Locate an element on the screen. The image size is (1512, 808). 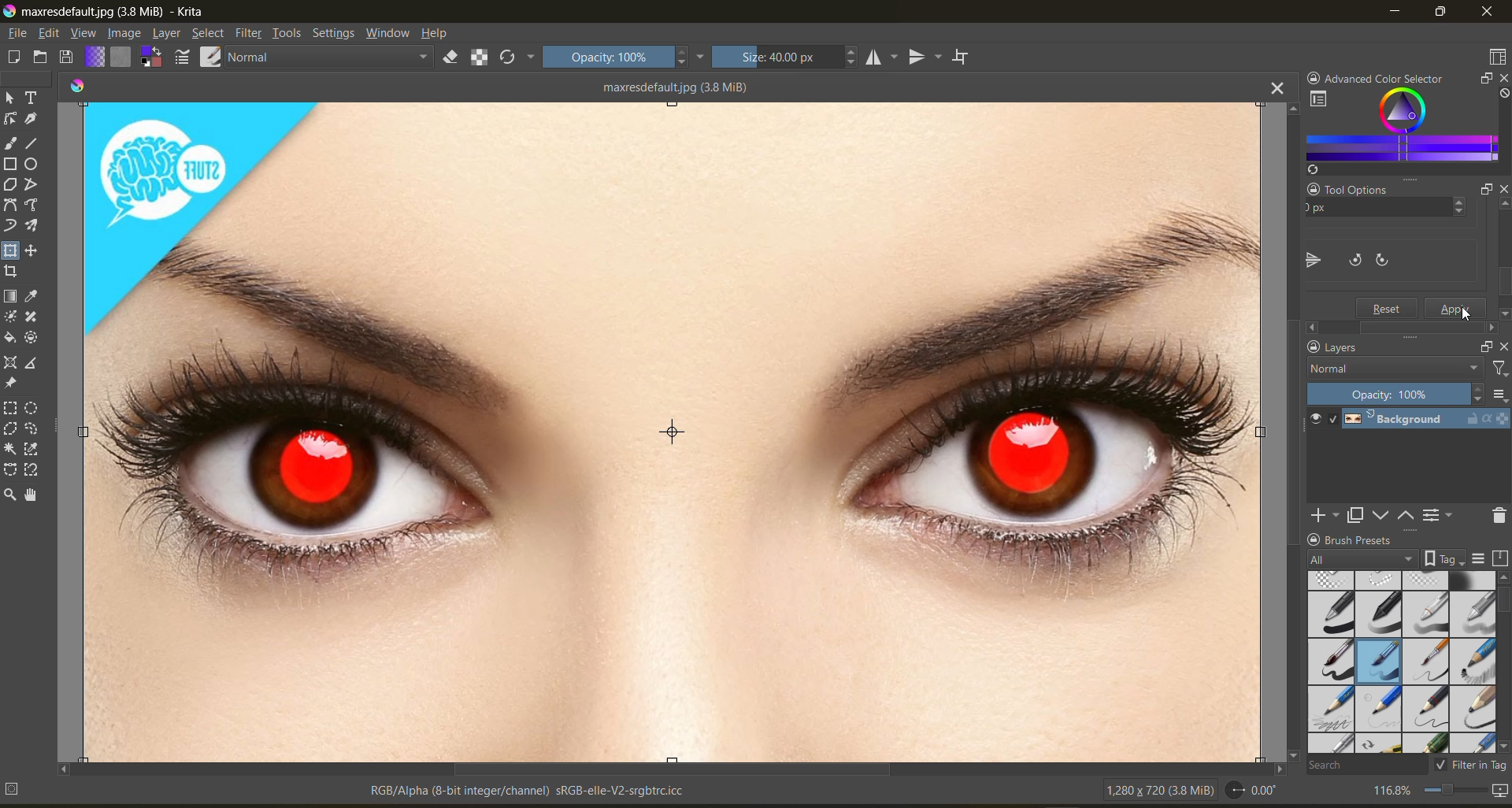
opacity is located at coordinates (1397, 394).